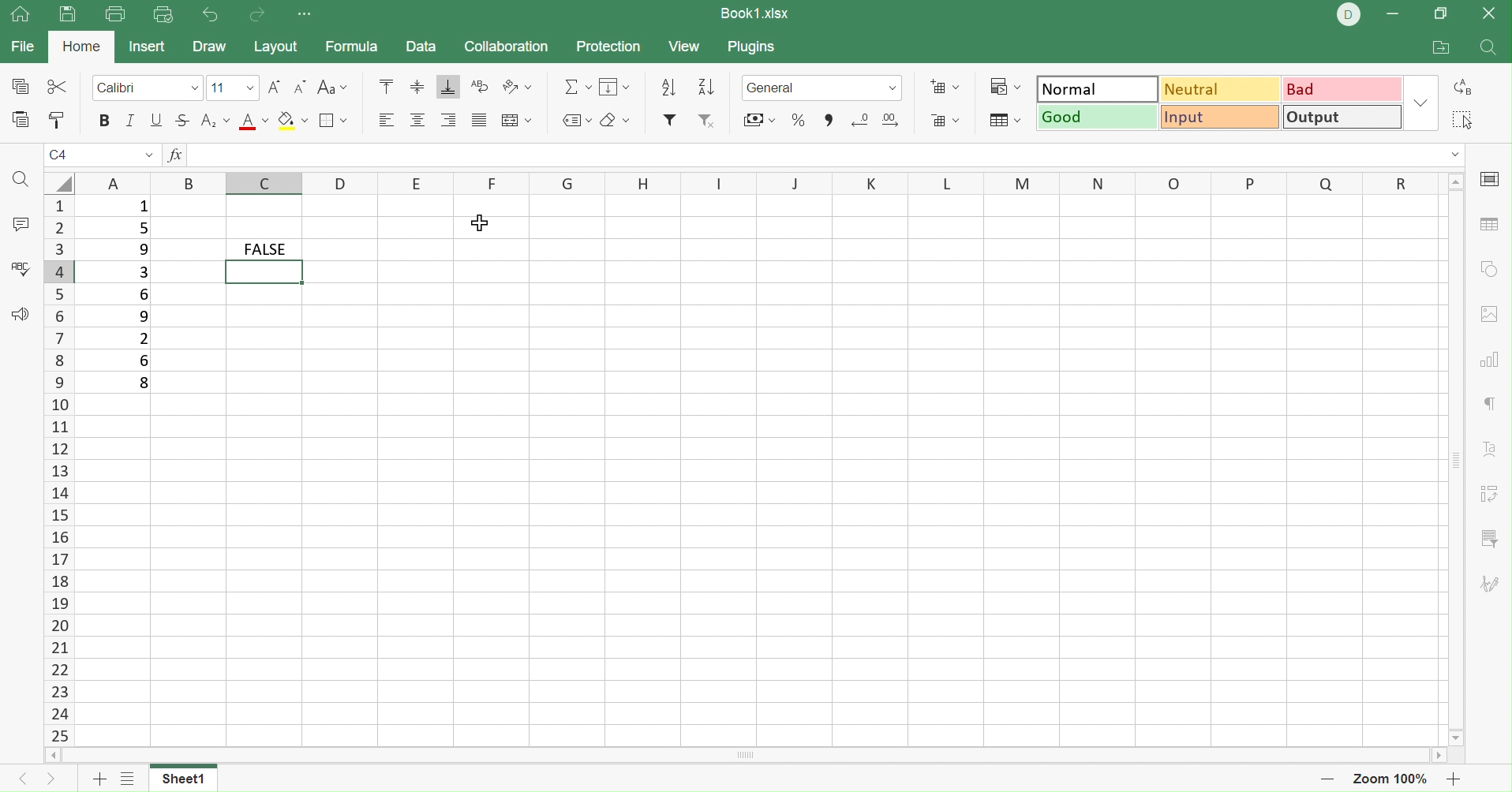  I want to click on Layout, so click(275, 47).